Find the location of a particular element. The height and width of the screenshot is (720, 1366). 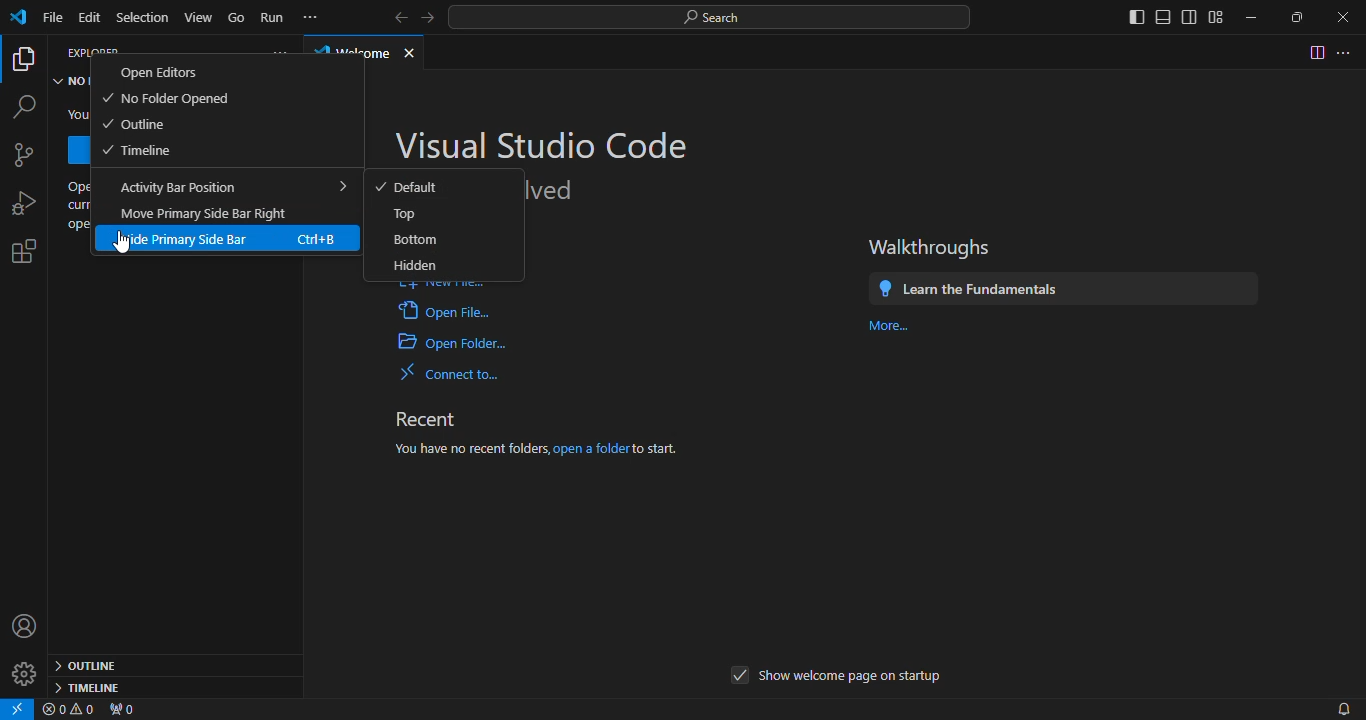

Hide Primary Side Bar is located at coordinates (220, 239).